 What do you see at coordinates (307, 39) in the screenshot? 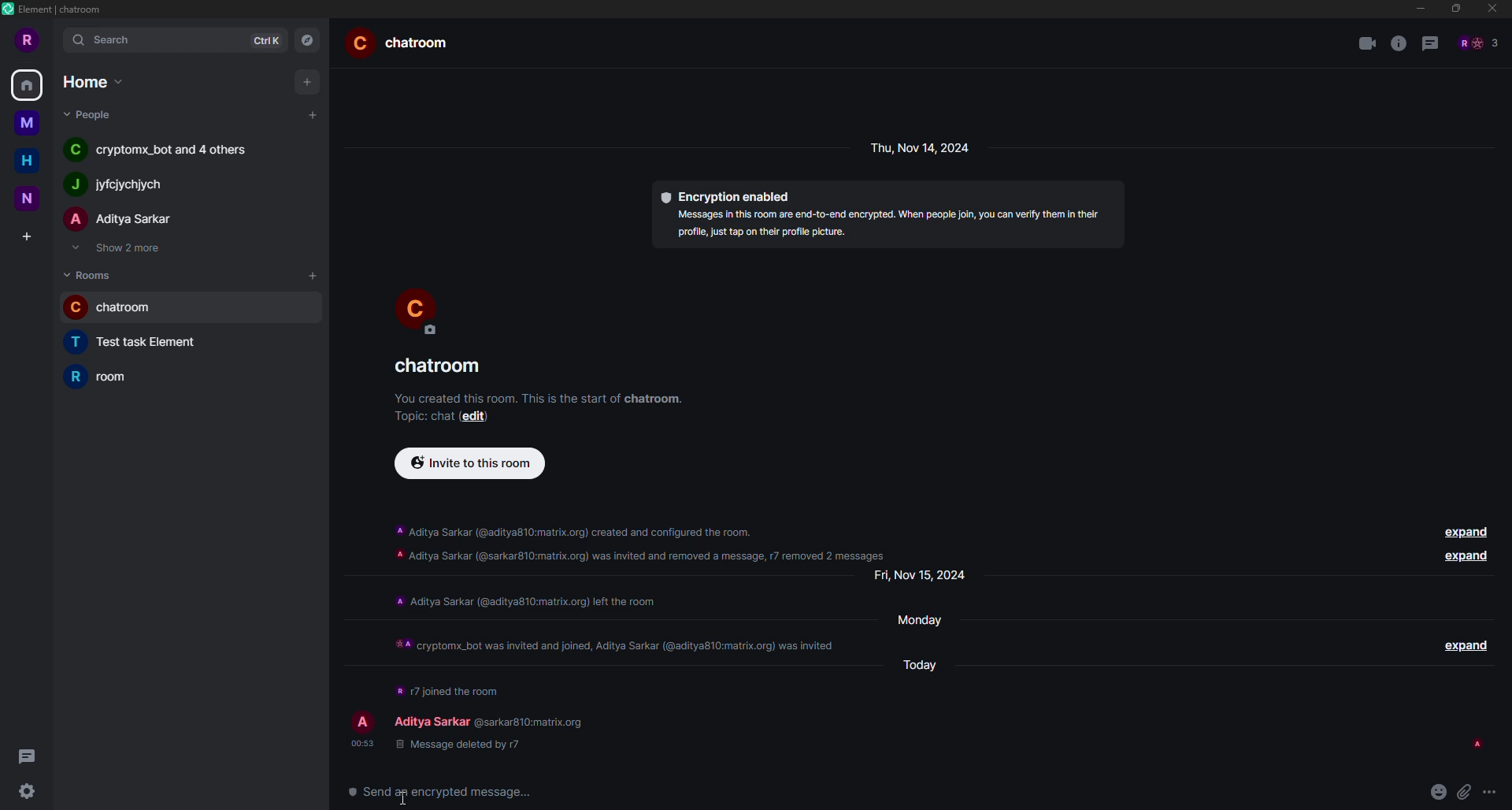
I see `navigator` at bounding box center [307, 39].